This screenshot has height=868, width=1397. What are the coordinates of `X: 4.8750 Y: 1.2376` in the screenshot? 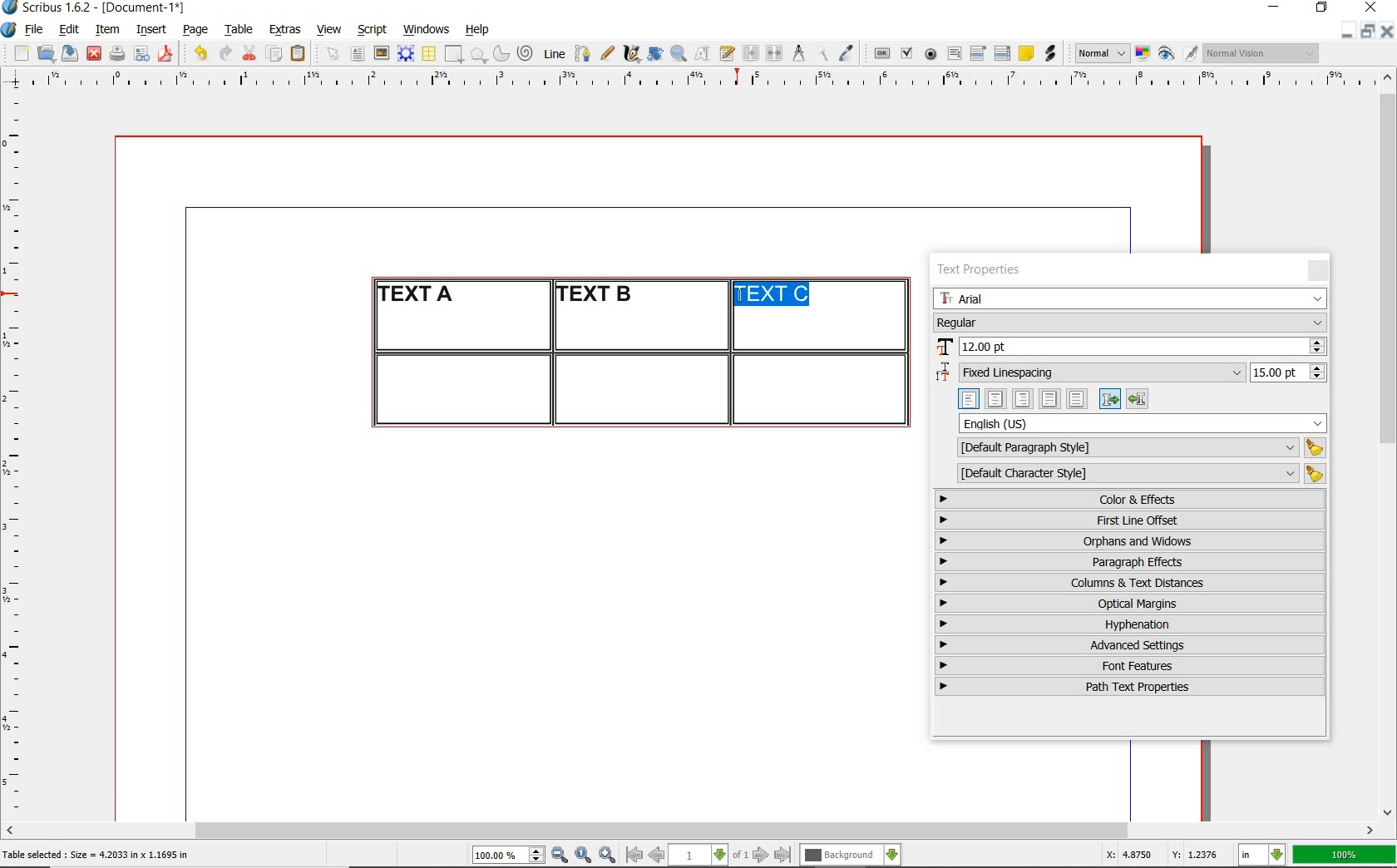 It's located at (1165, 855).